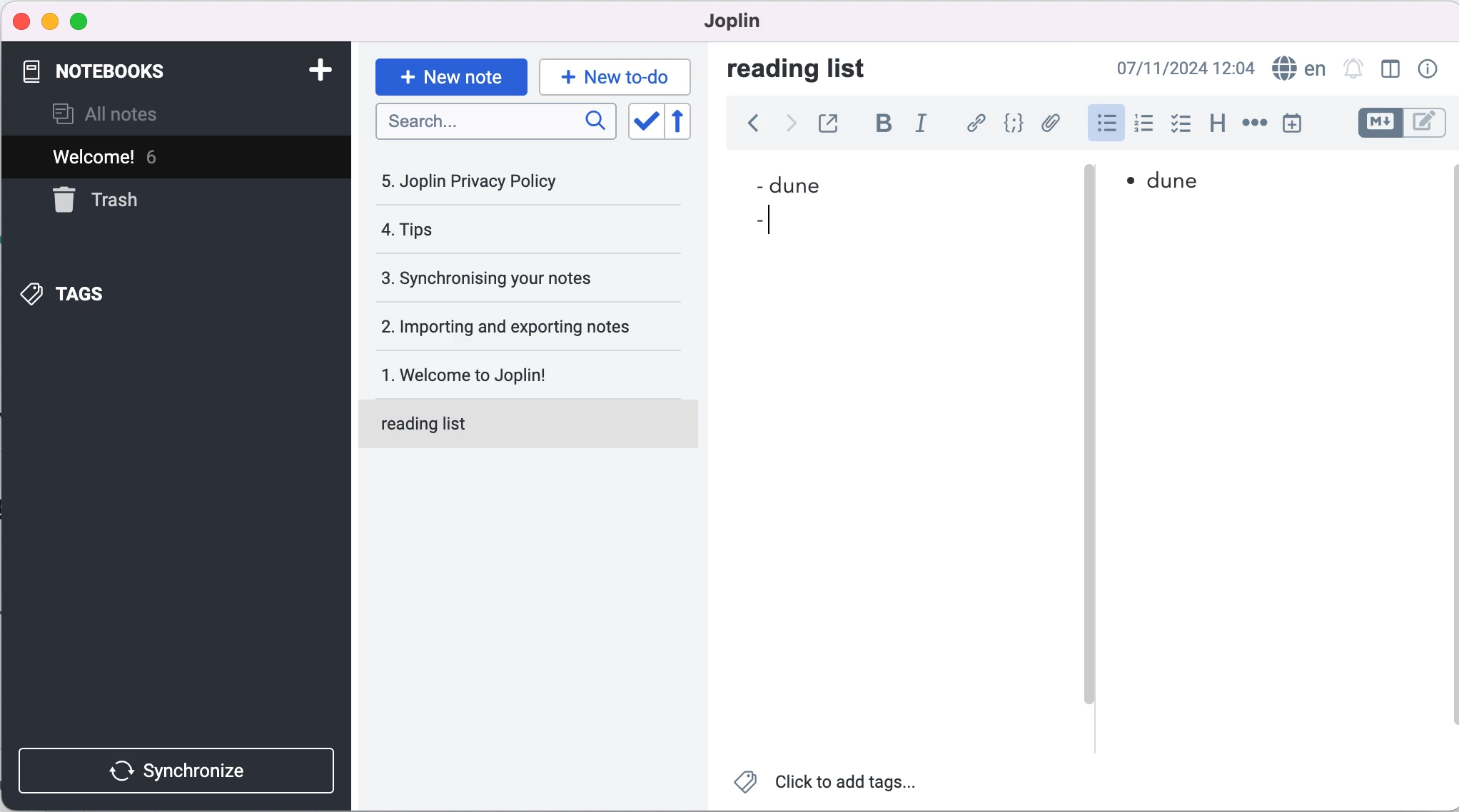  I want to click on revert sort order, so click(685, 123).